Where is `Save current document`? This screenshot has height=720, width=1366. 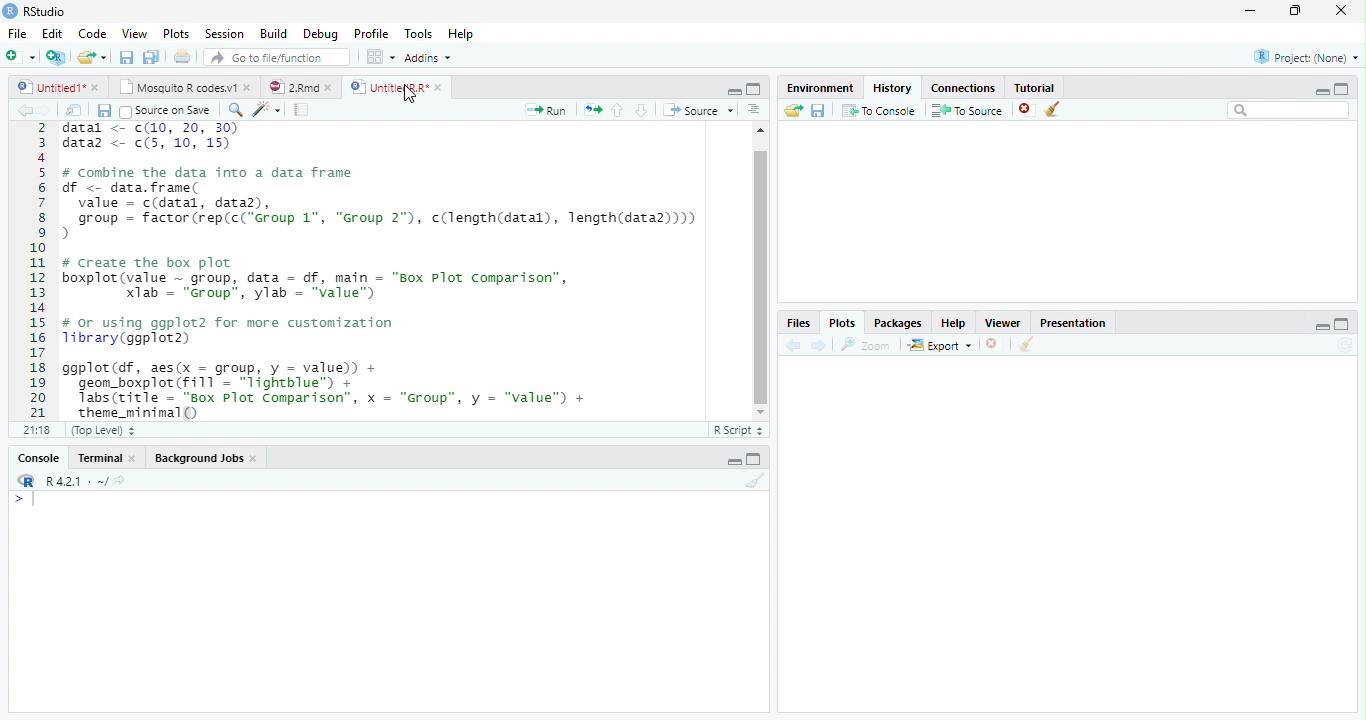 Save current document is located at coordinates (103, 110).